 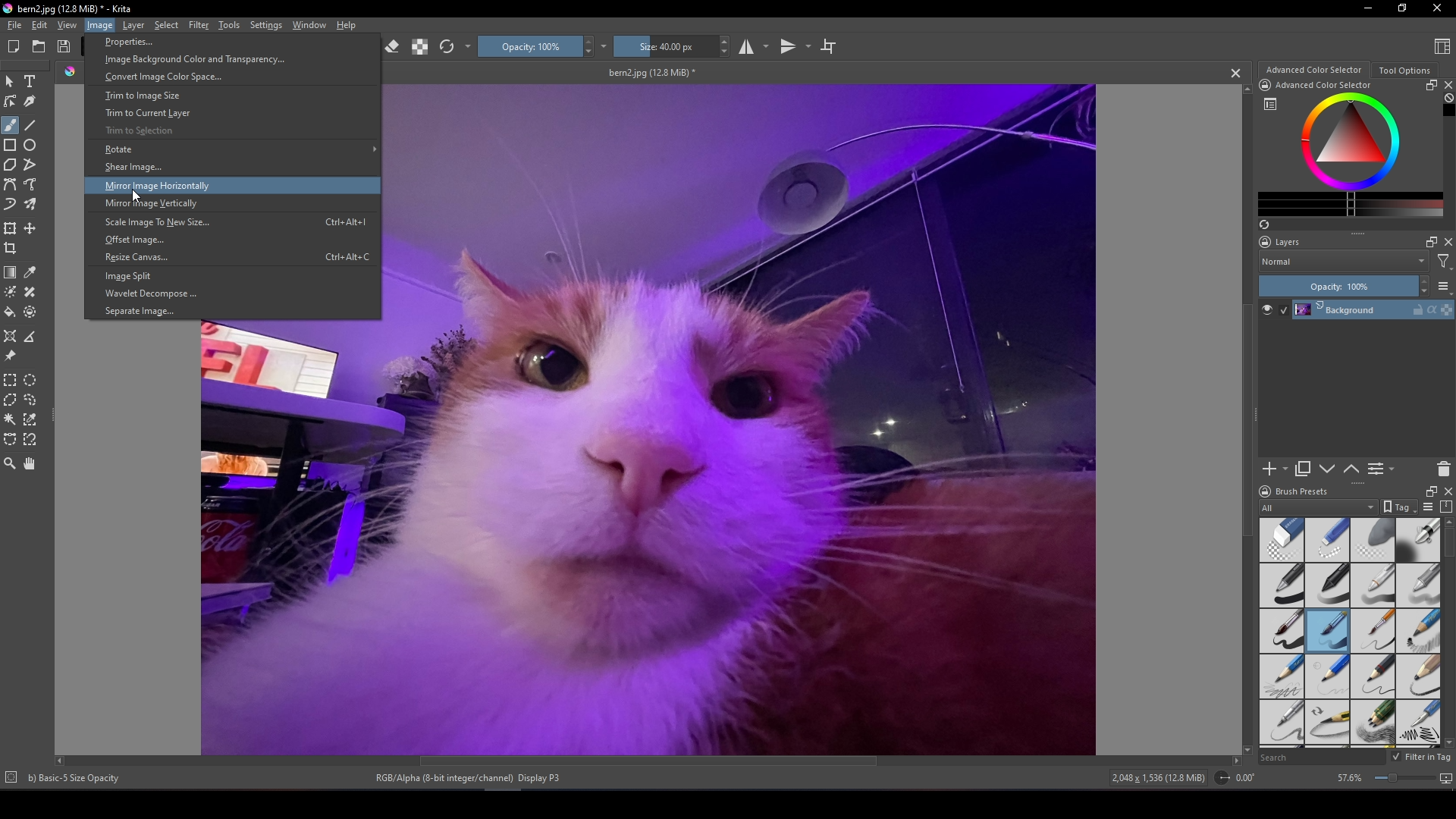 I want to click on Layer, so click(x=133, y=26).